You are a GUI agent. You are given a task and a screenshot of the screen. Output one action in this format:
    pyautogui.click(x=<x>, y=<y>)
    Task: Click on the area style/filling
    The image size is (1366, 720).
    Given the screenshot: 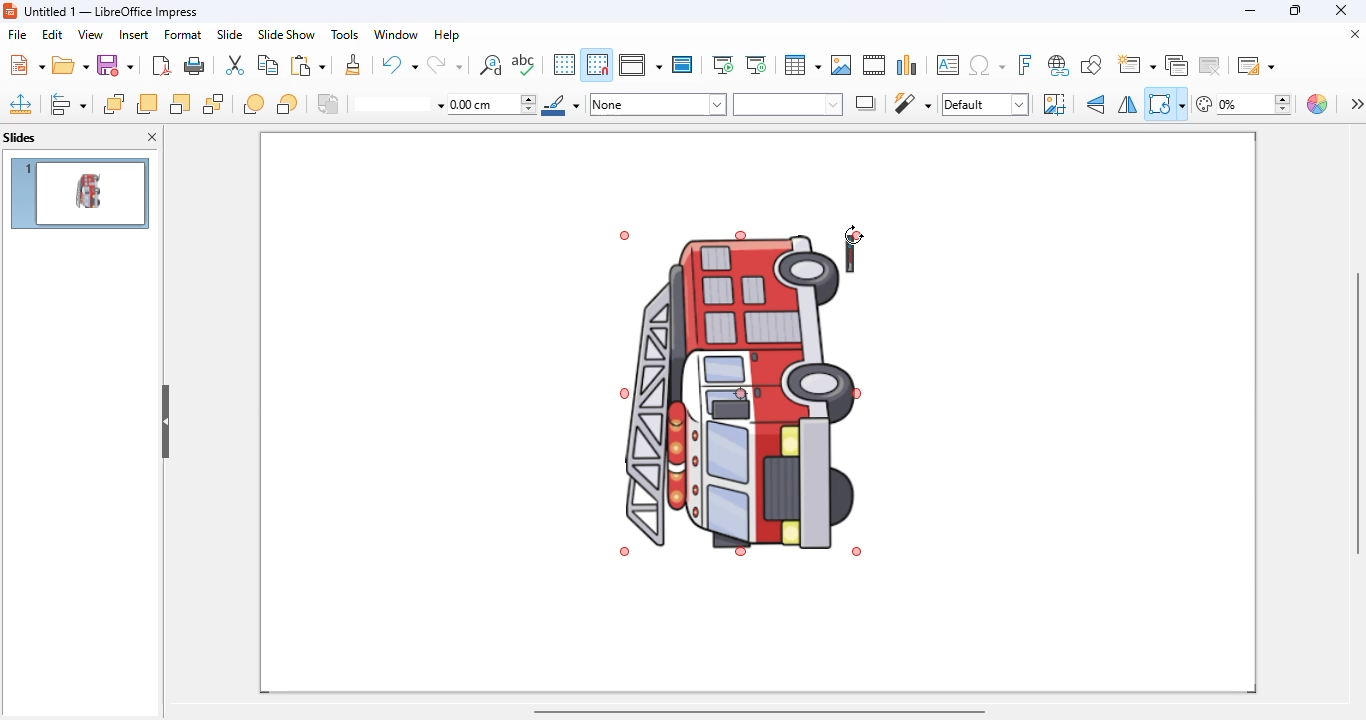 What is the action you would take?
    pyautogui.click(x=659, y=104)
    